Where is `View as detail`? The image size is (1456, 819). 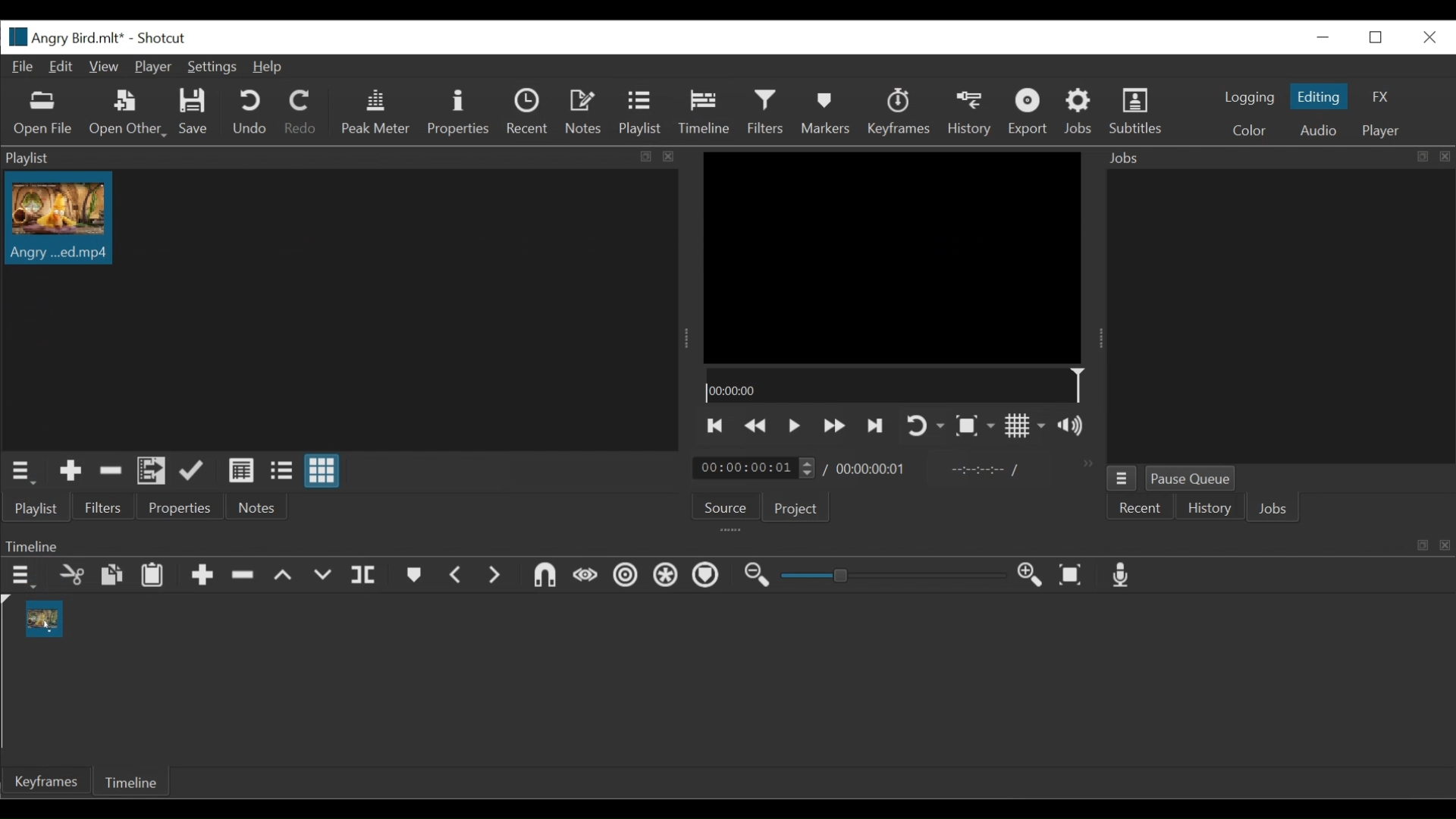 View as detail is located at coordinates (242, 472).